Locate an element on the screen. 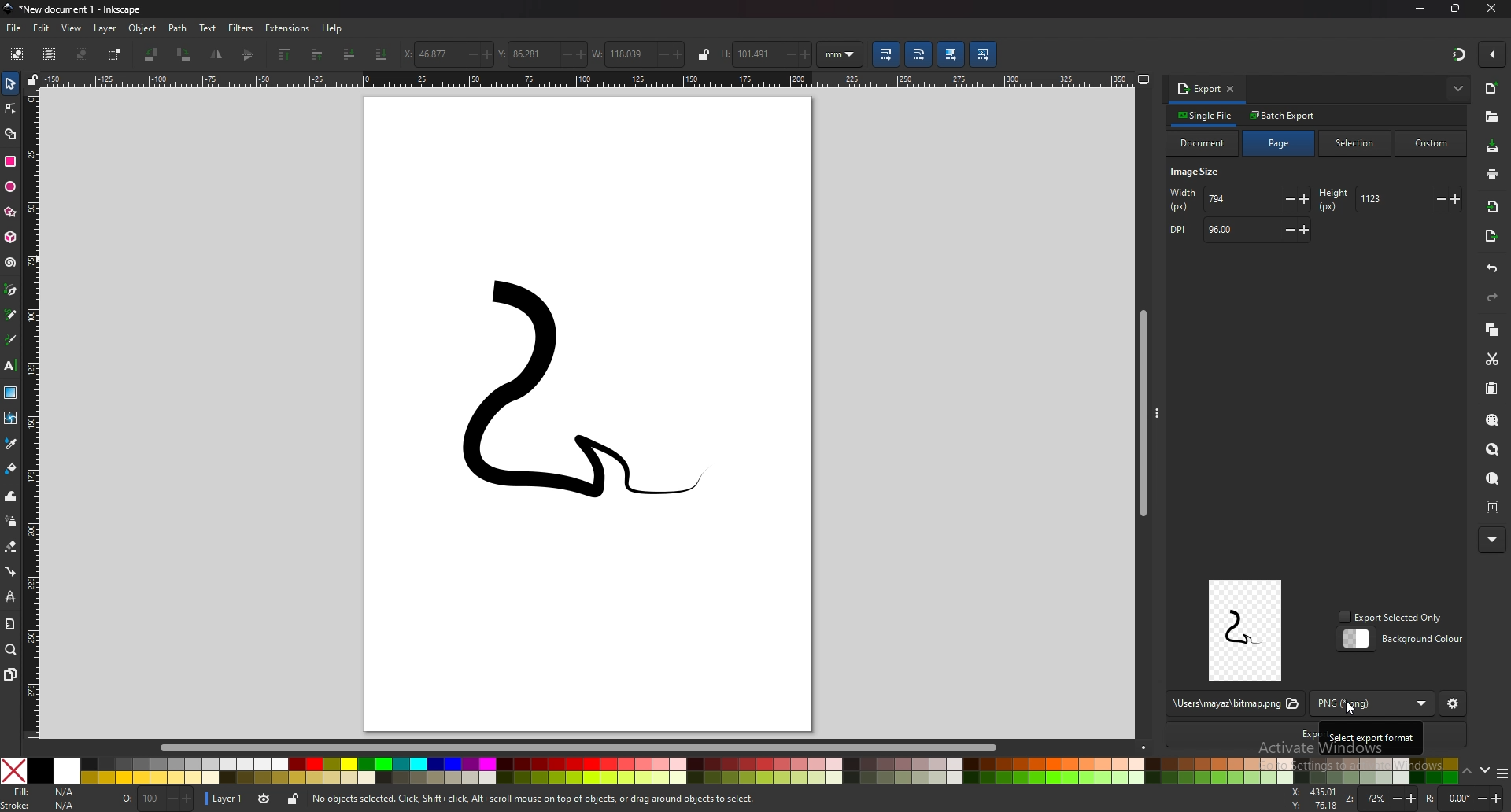  display options is located at coordinates (1143, 76).